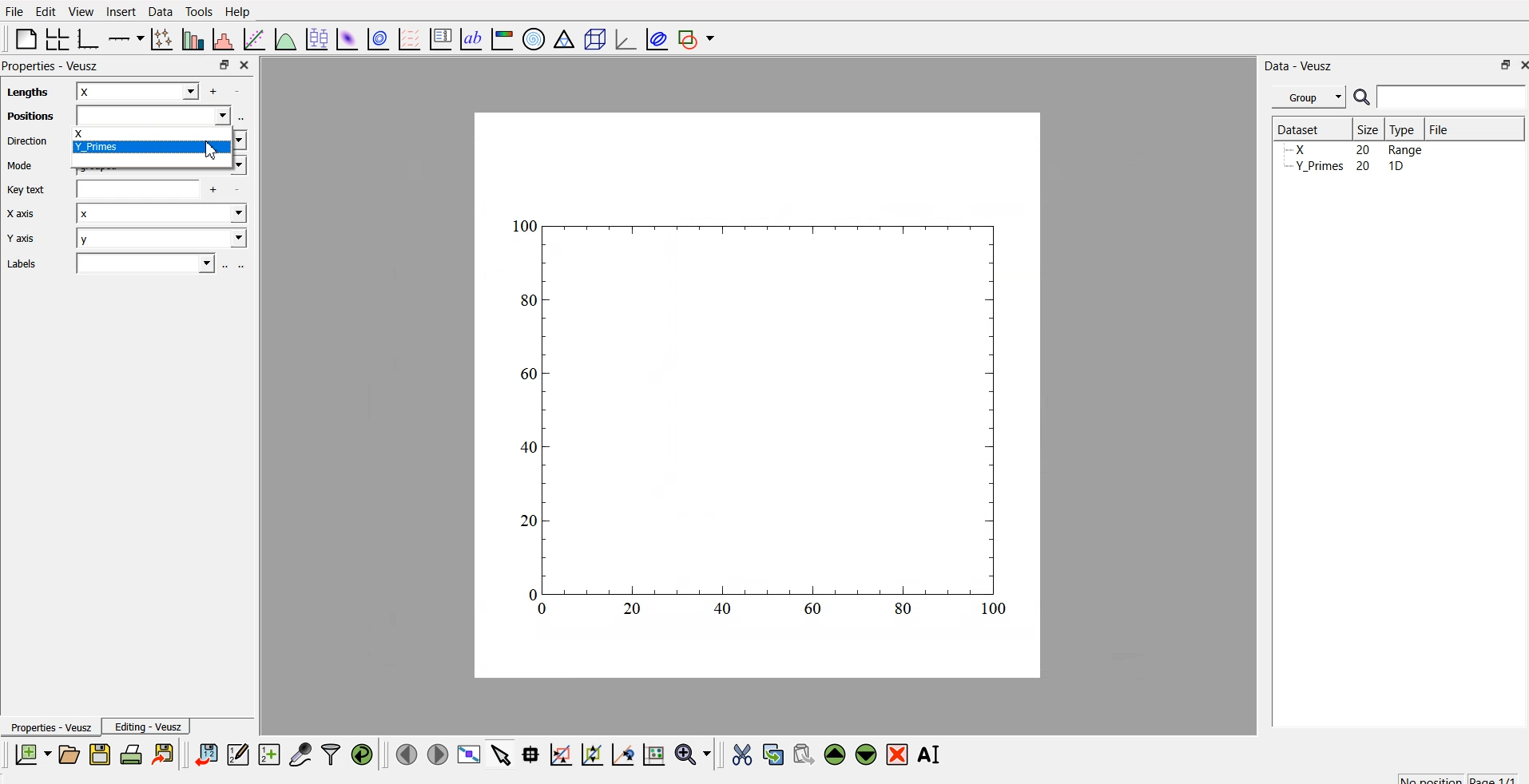 The width and height of the screenshot is (1529, 784). I want to click on histogram of dataset, so click(222, 40).